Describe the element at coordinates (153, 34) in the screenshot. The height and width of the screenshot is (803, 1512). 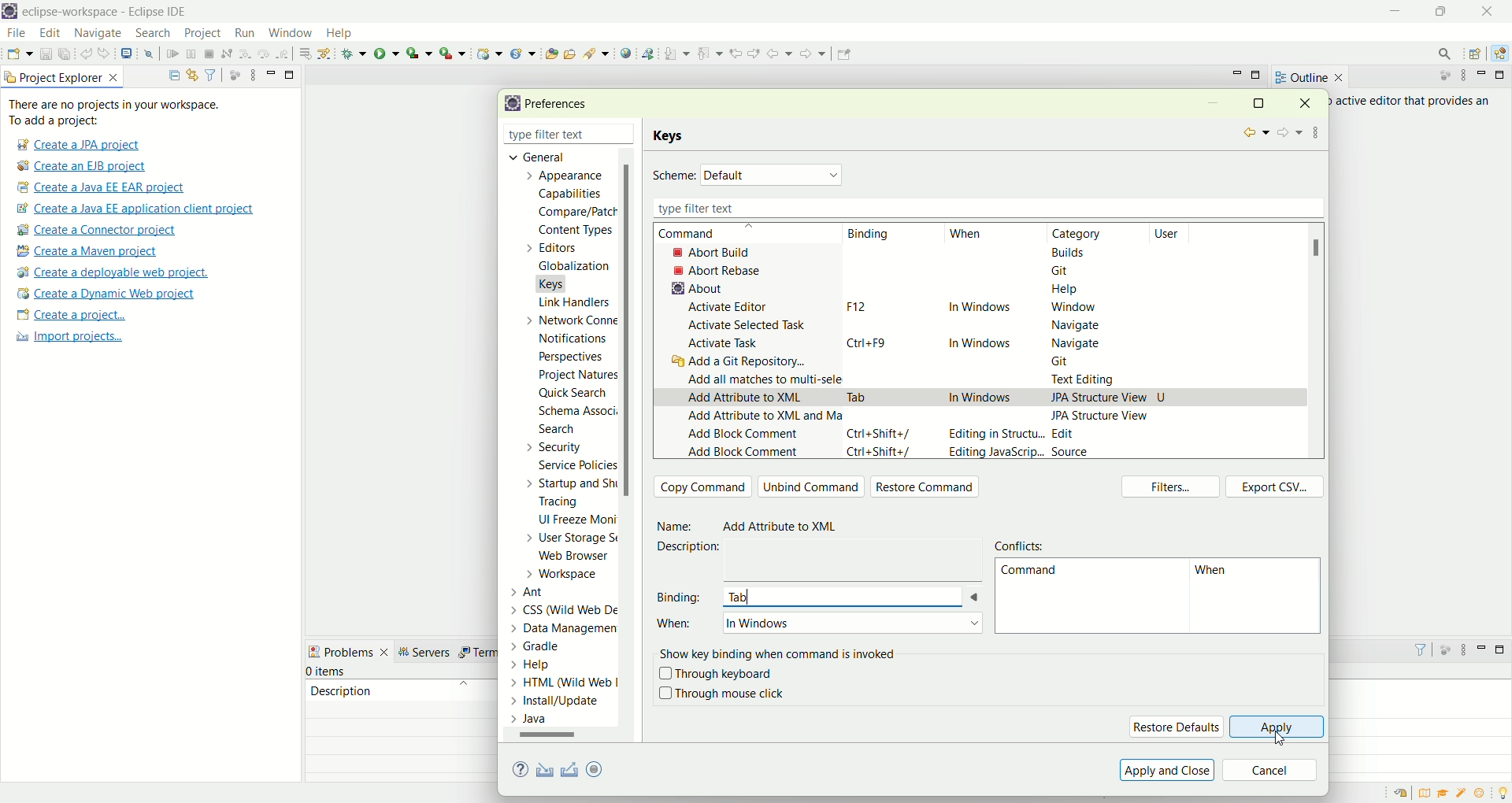
I see `search` at that location.